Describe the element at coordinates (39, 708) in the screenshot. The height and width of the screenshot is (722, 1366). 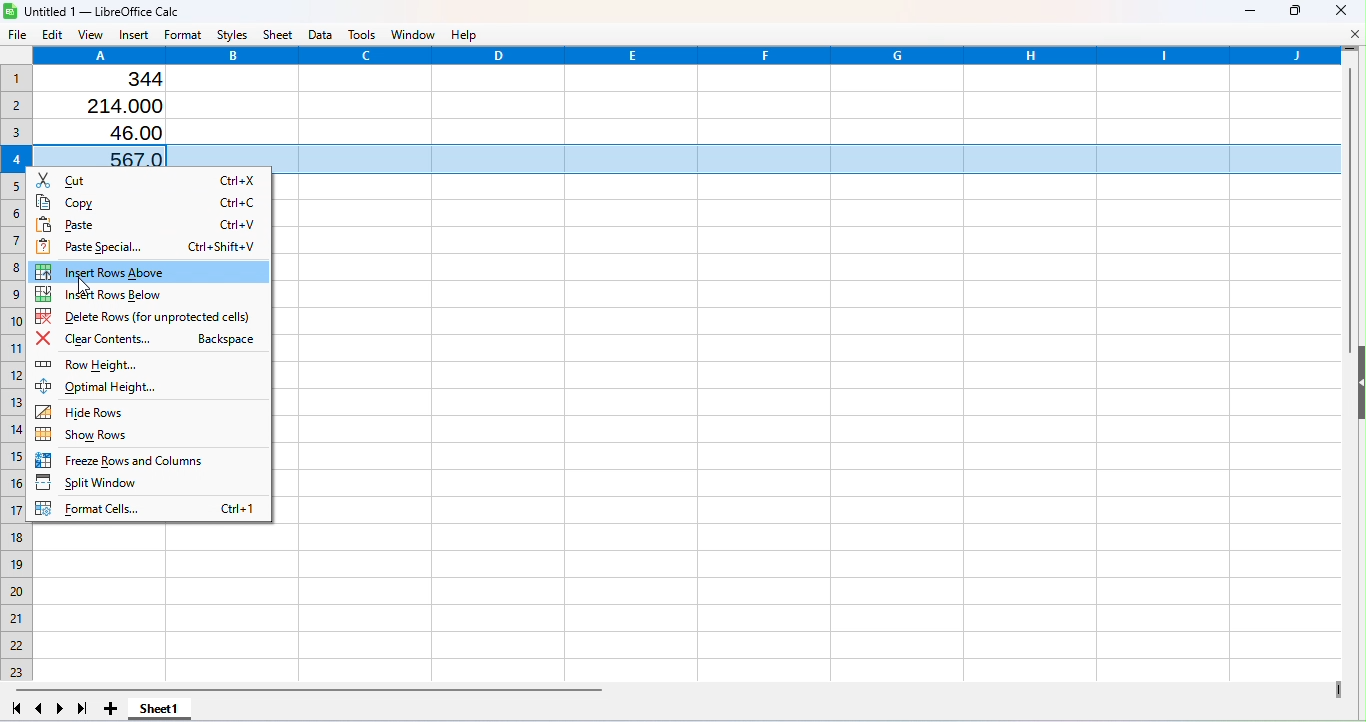
I see `Scroll to previous sheet` at that location.